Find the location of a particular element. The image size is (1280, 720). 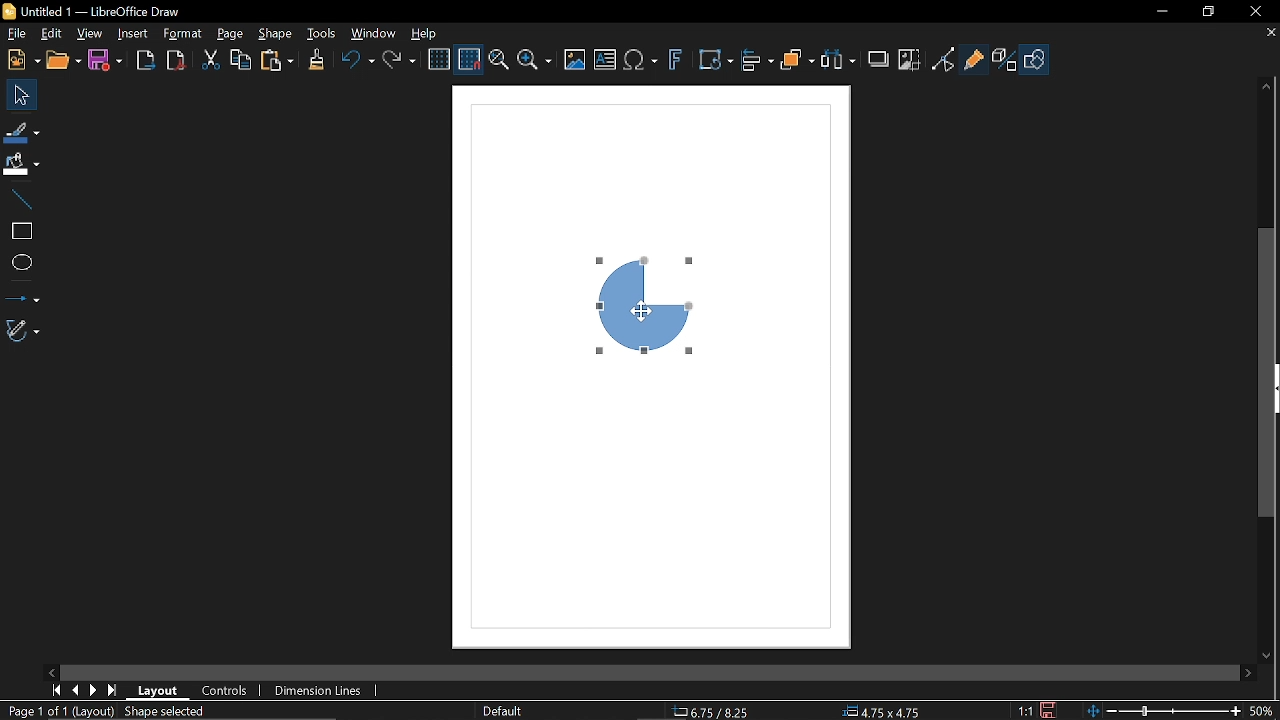

Insert is located at coordinates (134, 34).